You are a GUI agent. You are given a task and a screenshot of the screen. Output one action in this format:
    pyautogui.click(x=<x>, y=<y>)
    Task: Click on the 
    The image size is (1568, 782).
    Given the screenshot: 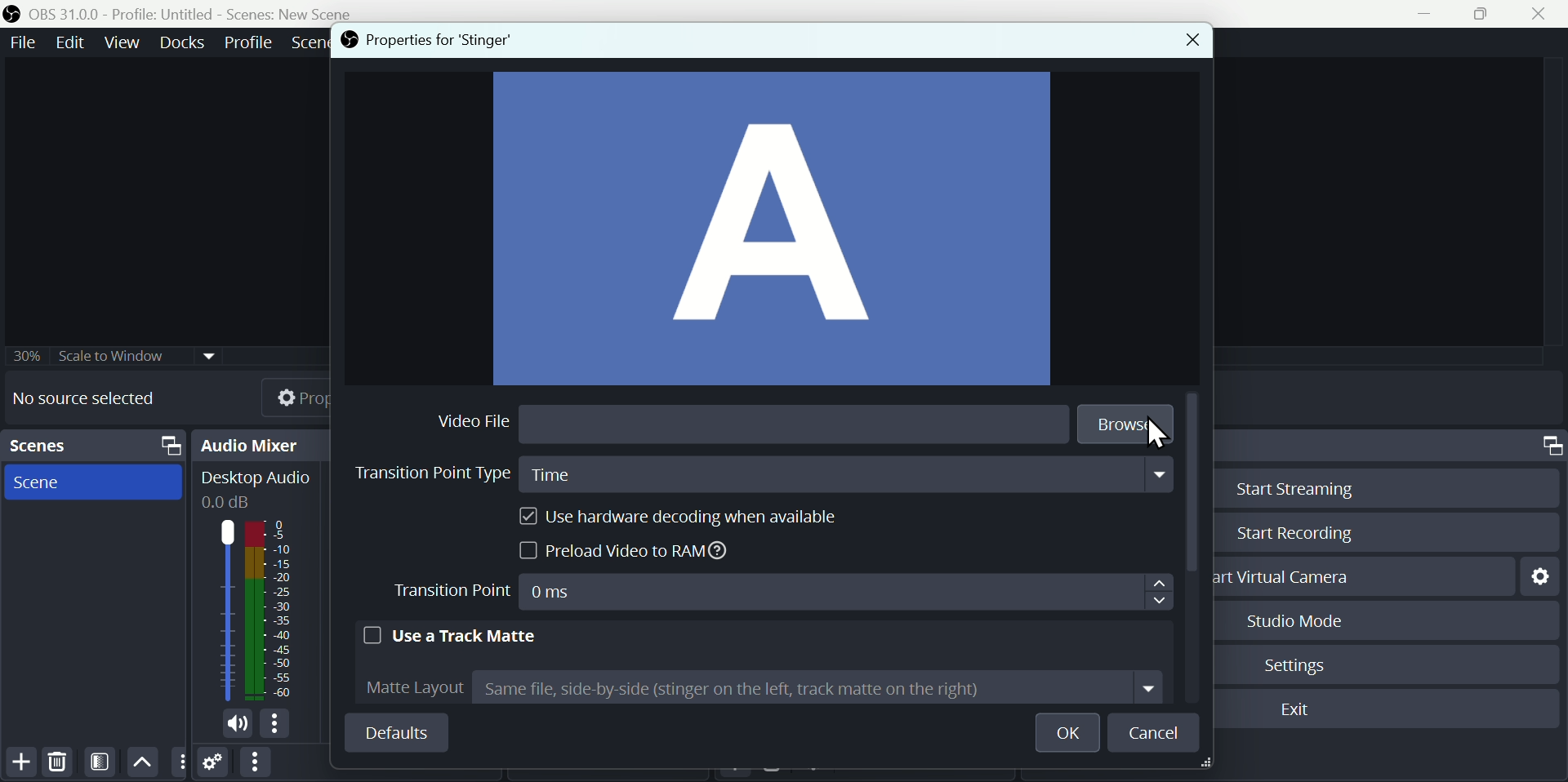 What is the action you would take?
    pyautogui.click(x=1157, y=589)
    